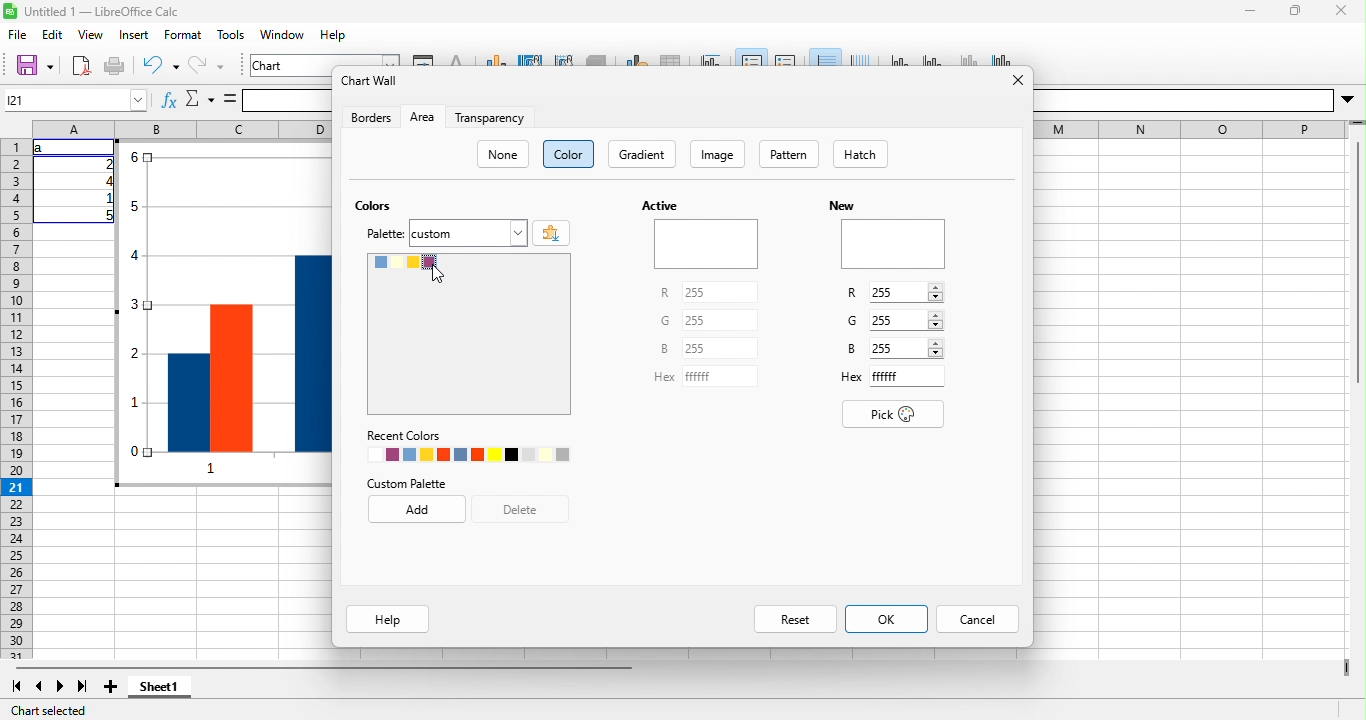  What do you see at coordinates (106, 198) in the screenshot?
I see `1` at bounding box center [106, 198].